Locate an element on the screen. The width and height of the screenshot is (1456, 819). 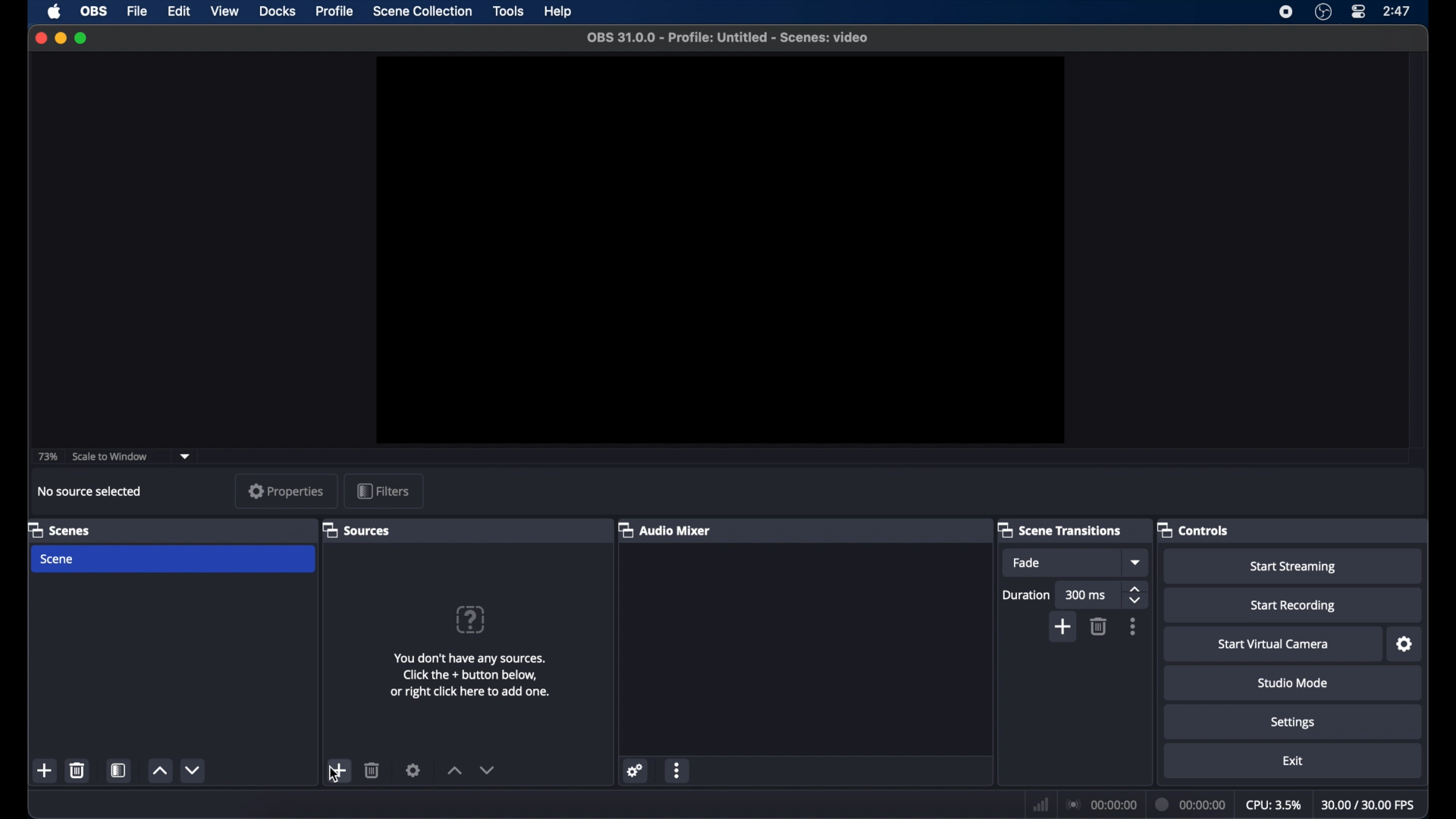
fps is located at coordinates (1368, 804).